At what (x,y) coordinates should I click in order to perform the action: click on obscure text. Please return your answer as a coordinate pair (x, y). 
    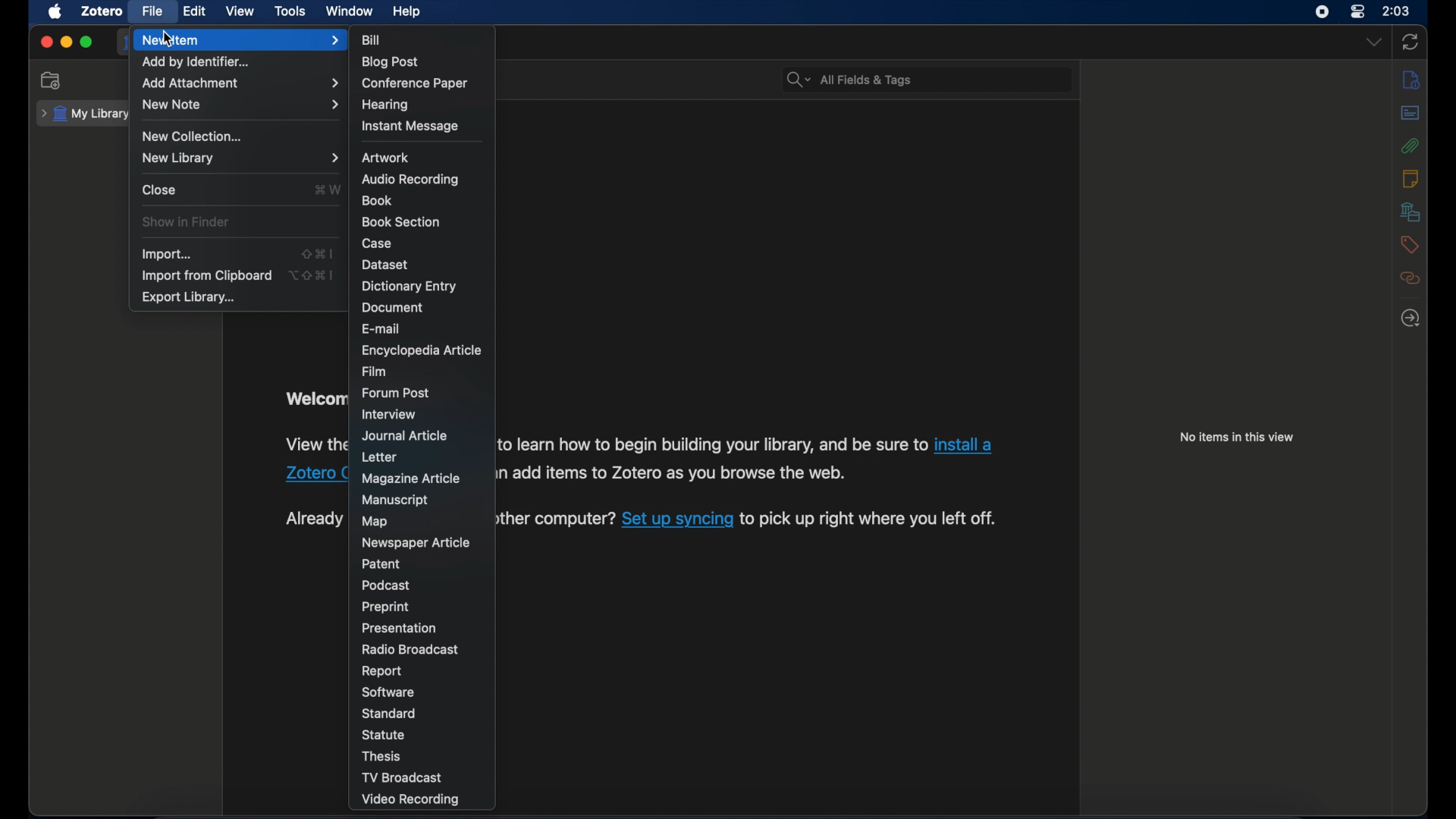
    Looking at the image, I should click on (312, 519).